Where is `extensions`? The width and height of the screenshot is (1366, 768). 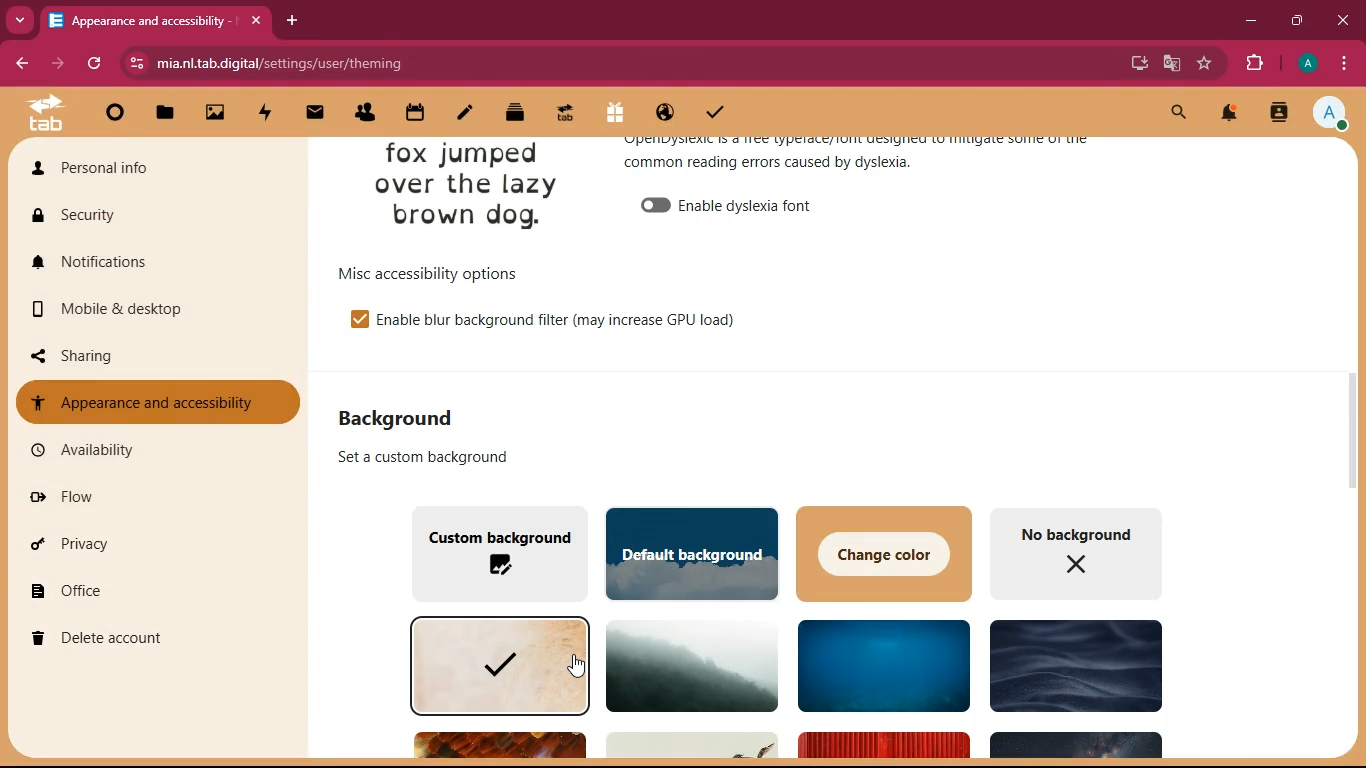 extensions is located at coordinates (1253, 64).